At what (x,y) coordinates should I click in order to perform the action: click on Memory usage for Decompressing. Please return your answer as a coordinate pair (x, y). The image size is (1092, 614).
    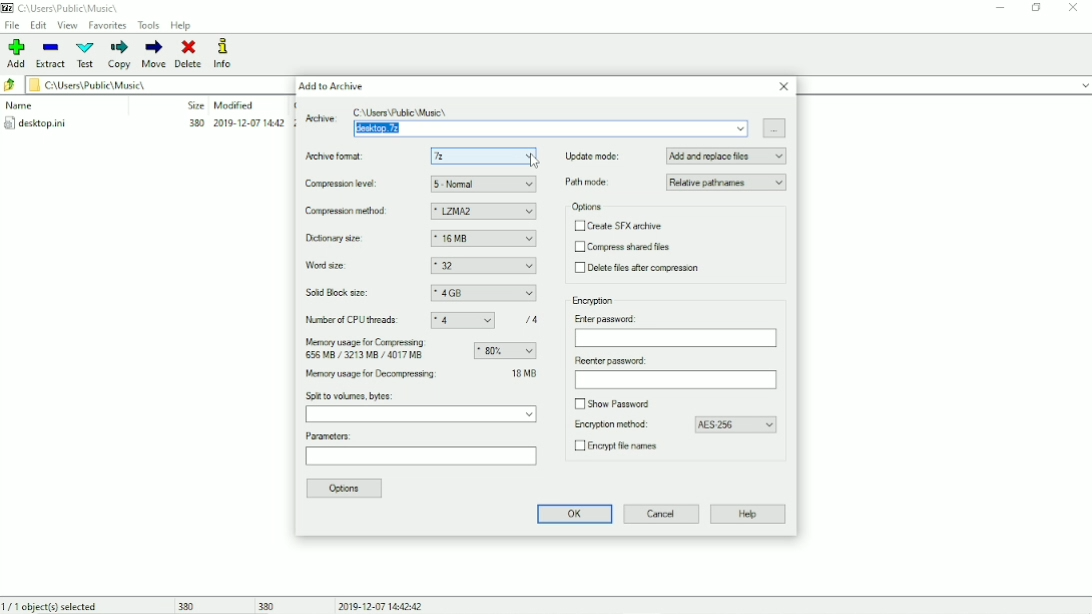
    Looking at the image, I should click on (421, 376).